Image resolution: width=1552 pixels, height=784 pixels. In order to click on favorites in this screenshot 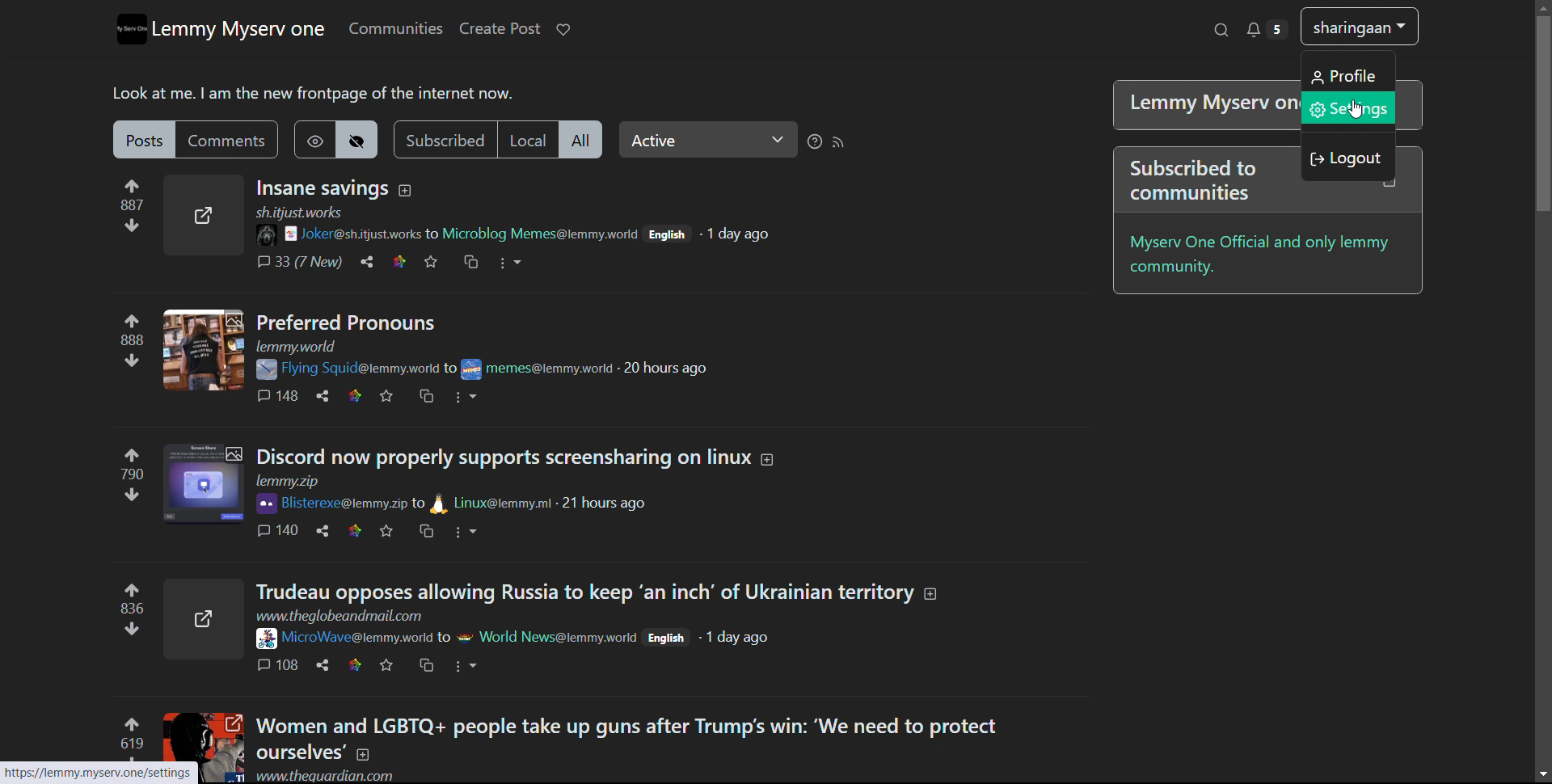, I will do `click(387, 397)`.